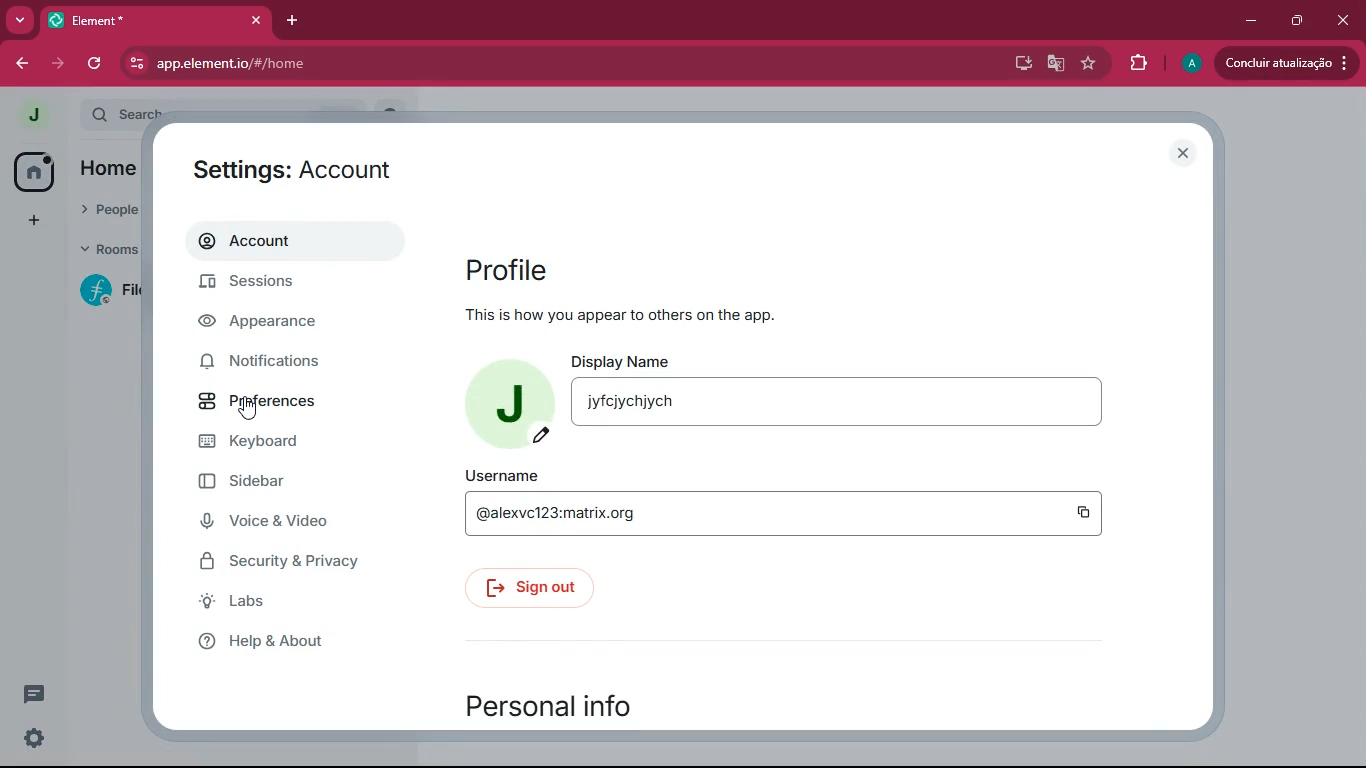 The image size is (1366, 768). What do you see at coordinates (33, 115) in the screenshot?
I see `profile picture` at bounding box center [33, 115].